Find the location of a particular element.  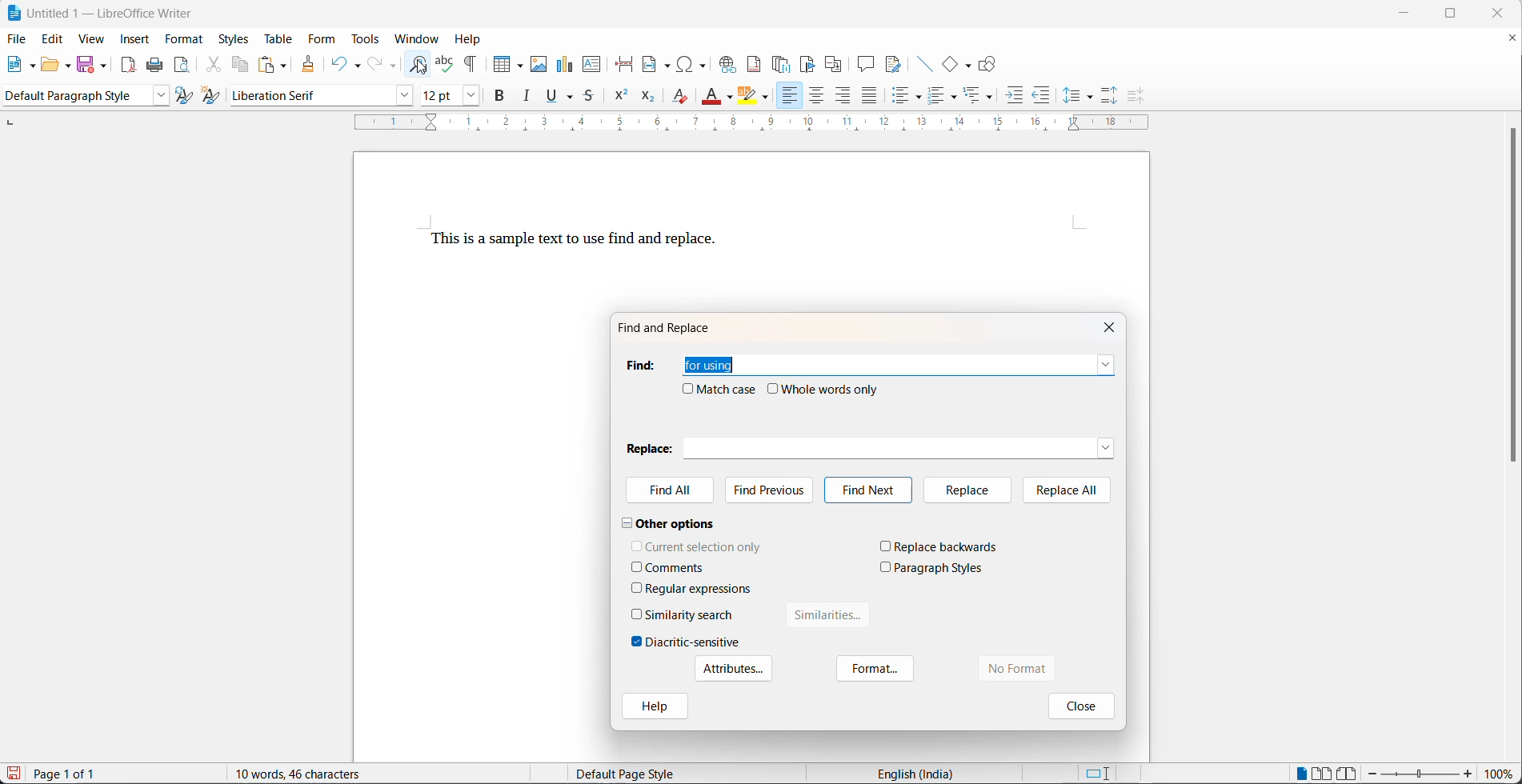

text align left is located at coordinates (844, 98).